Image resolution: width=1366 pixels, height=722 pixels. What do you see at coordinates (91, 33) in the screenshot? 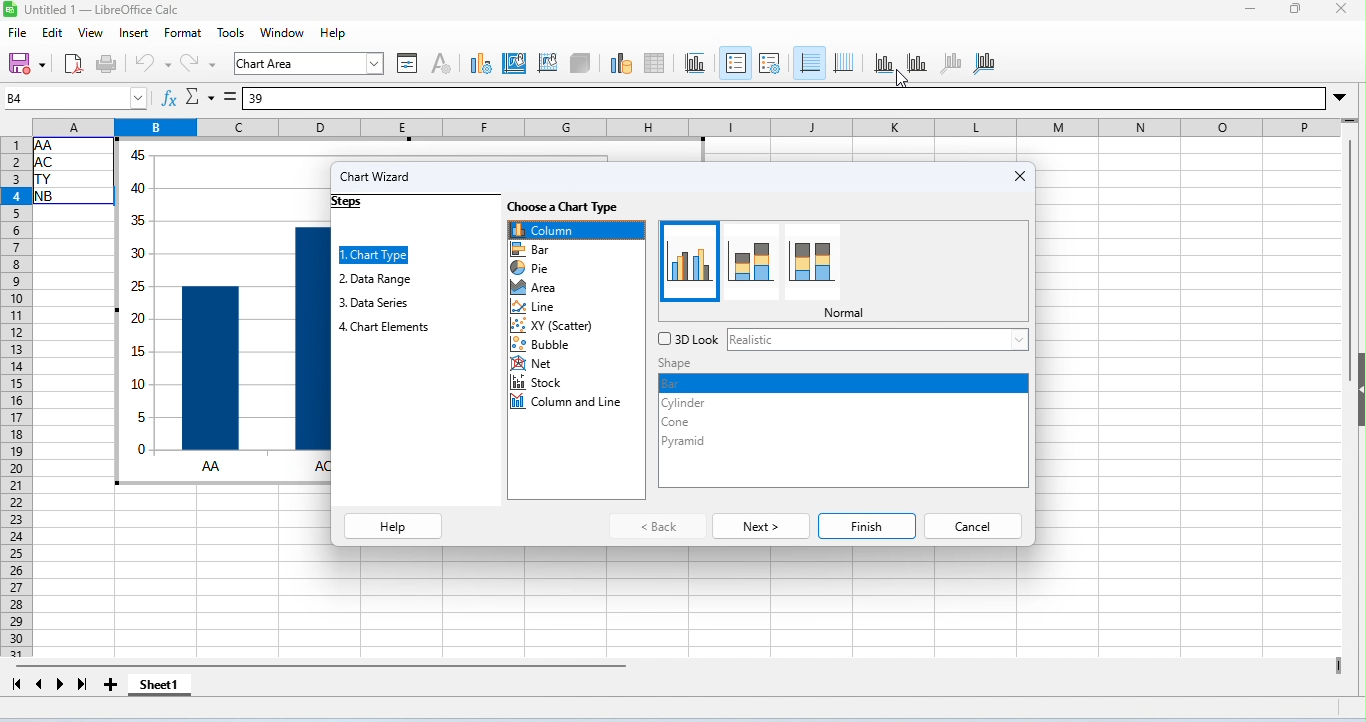
I see `view` at bounding box center [91, 33].